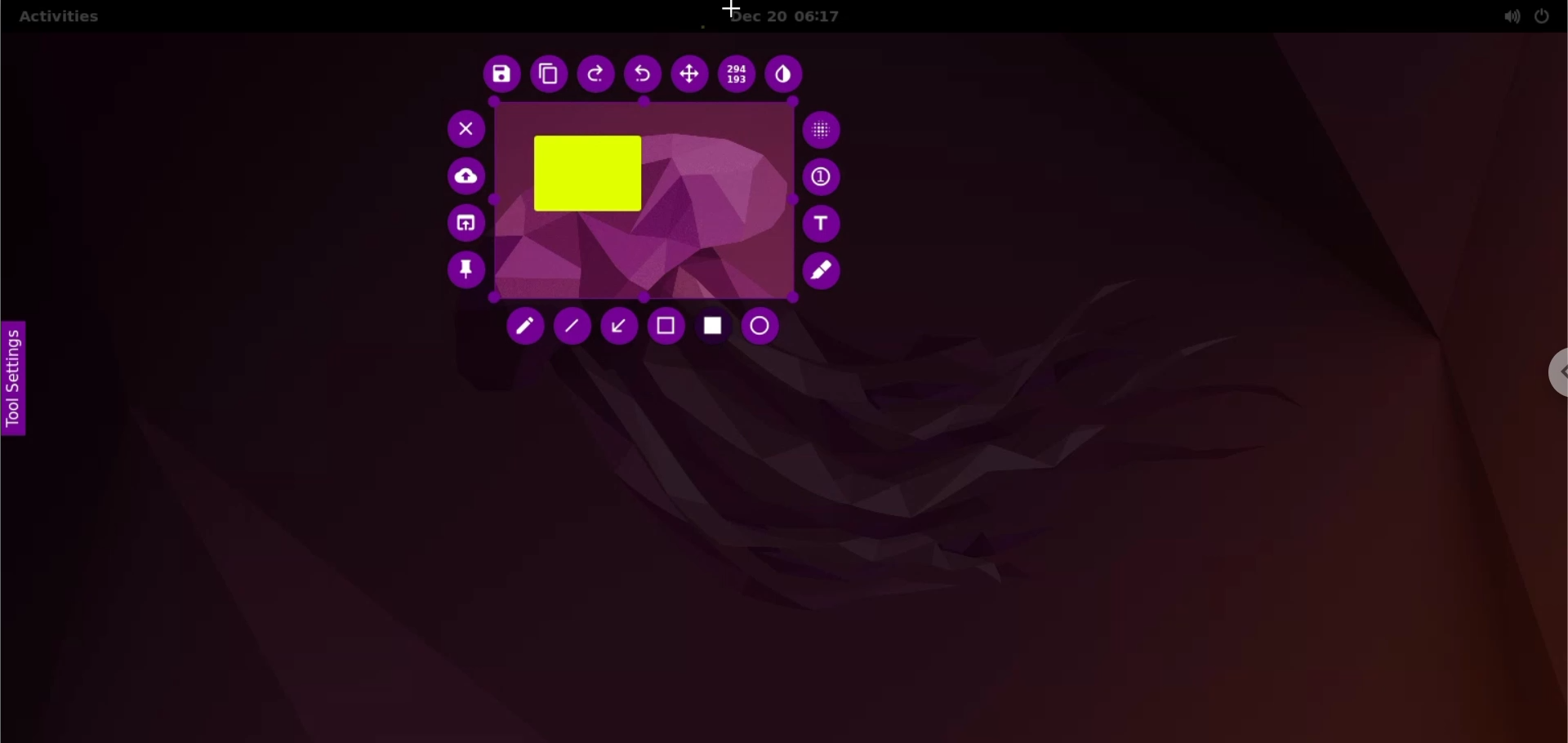  I want to click on circle tool, so click(765, 327).